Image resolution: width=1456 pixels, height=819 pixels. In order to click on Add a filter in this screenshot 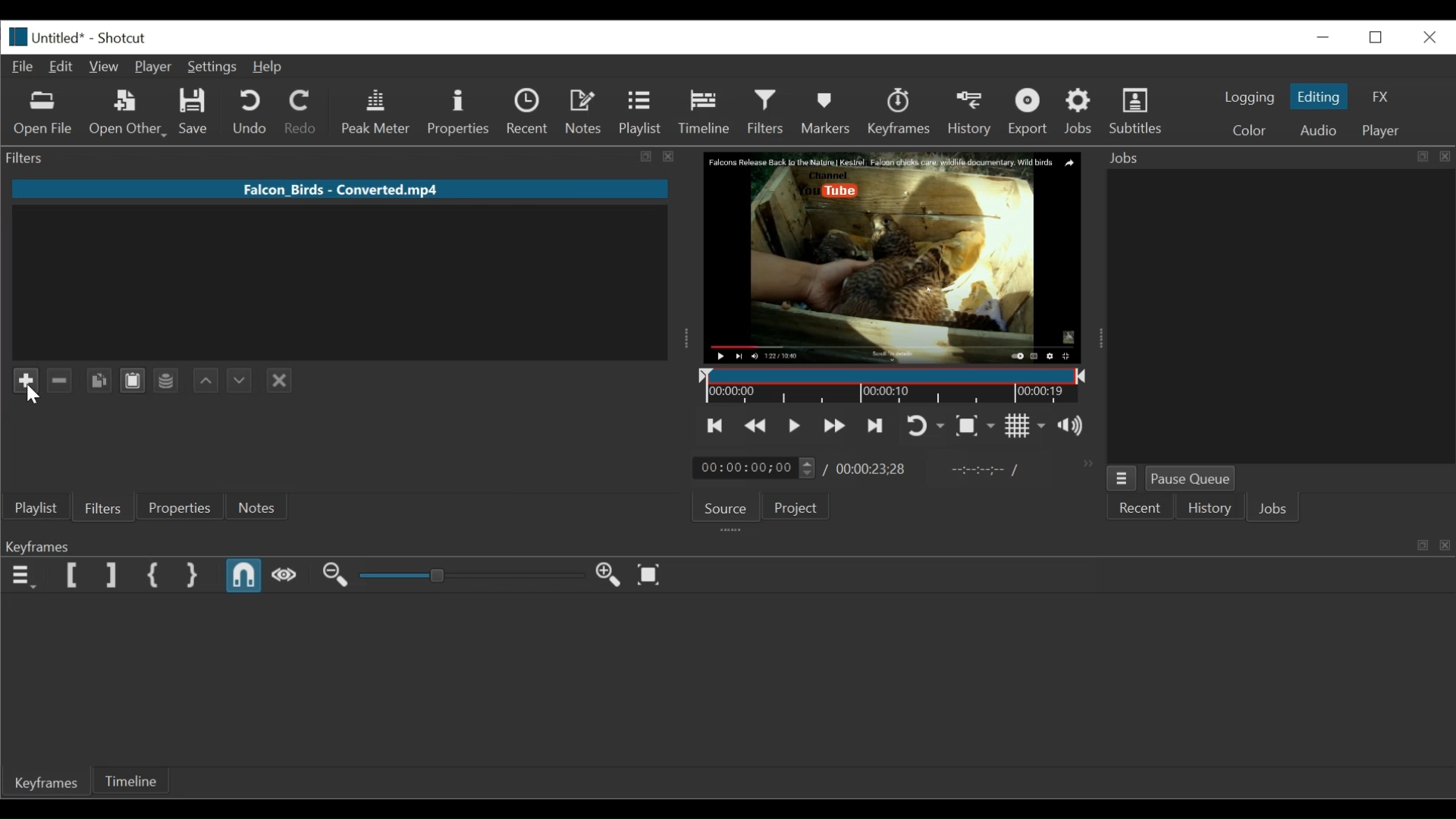, I will do `click(29, 380)`.